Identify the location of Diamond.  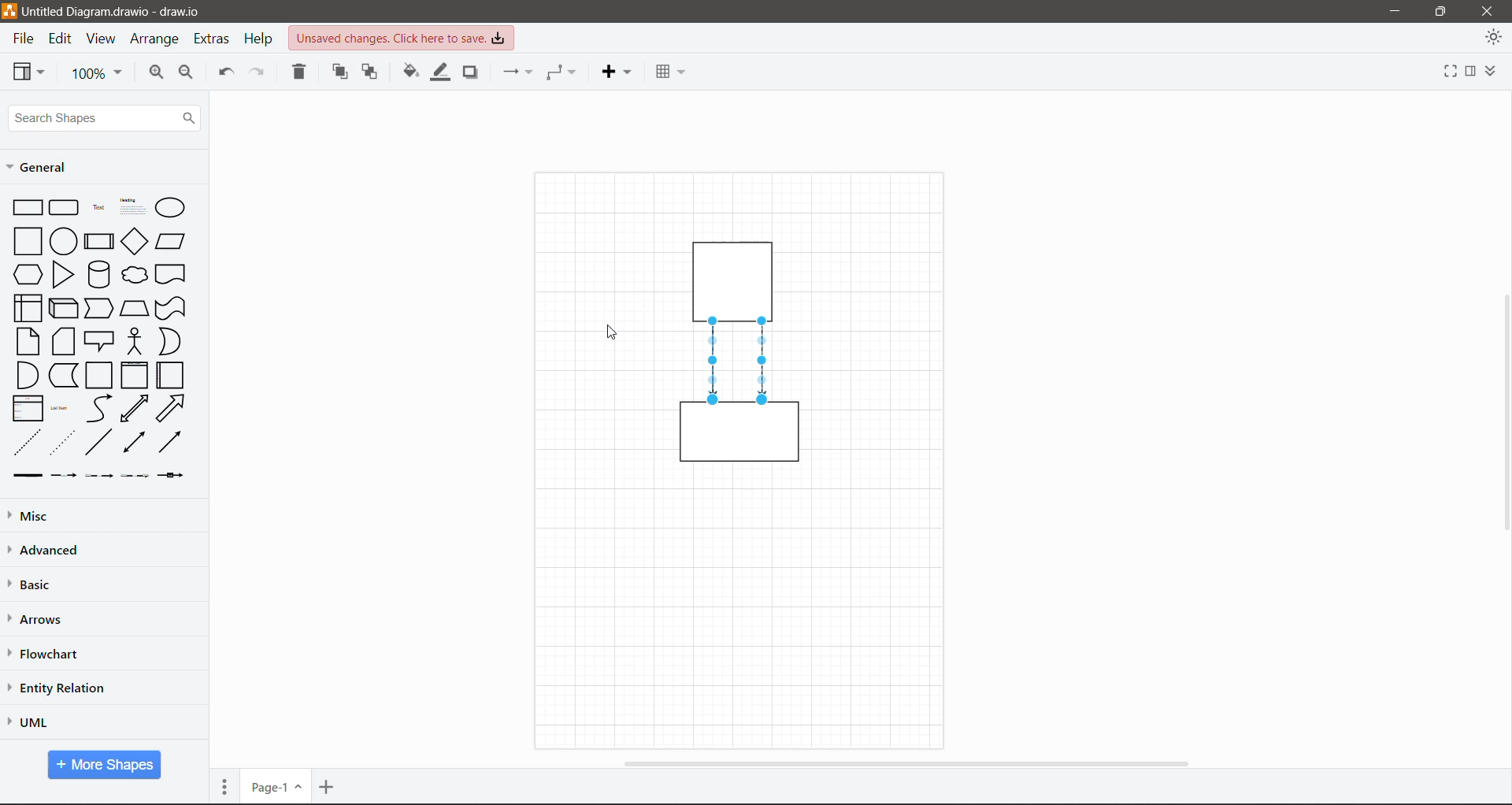
(134, 241).